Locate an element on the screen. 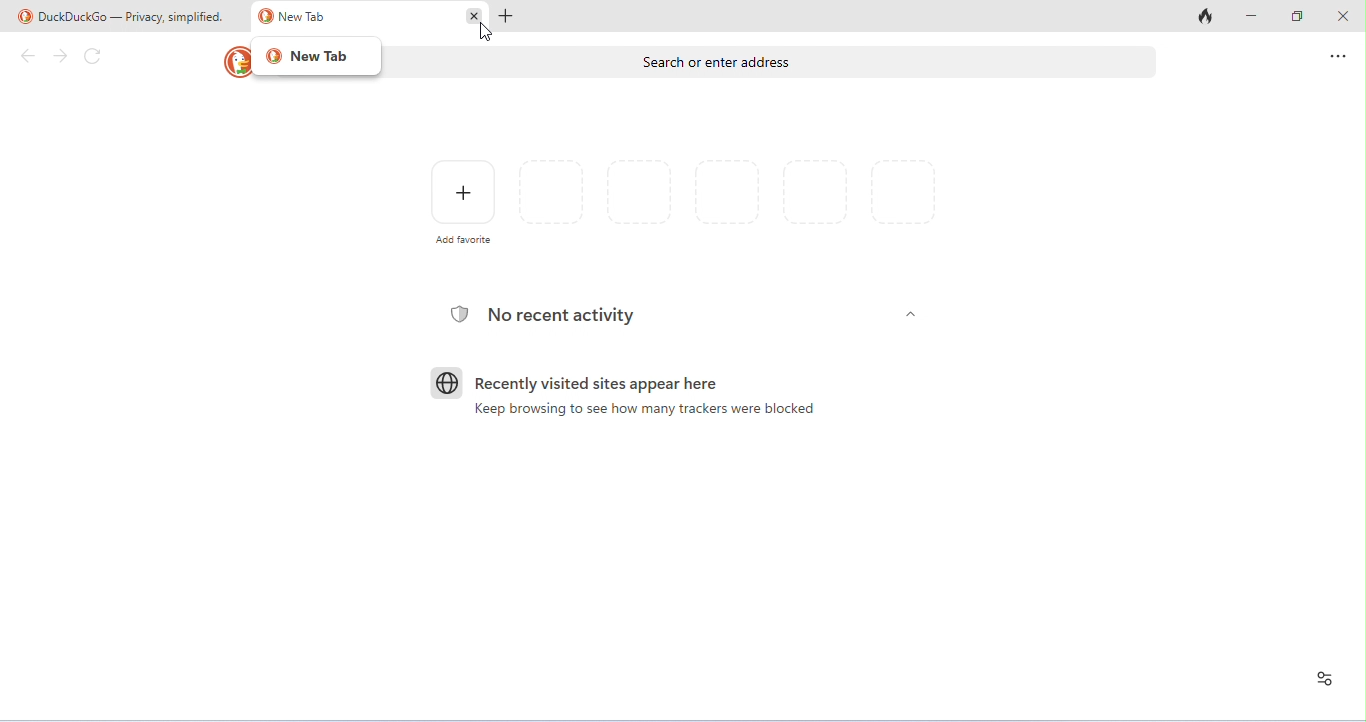 This screenshot has height=722, width=1366. close is located at coordinates (1341, 17).